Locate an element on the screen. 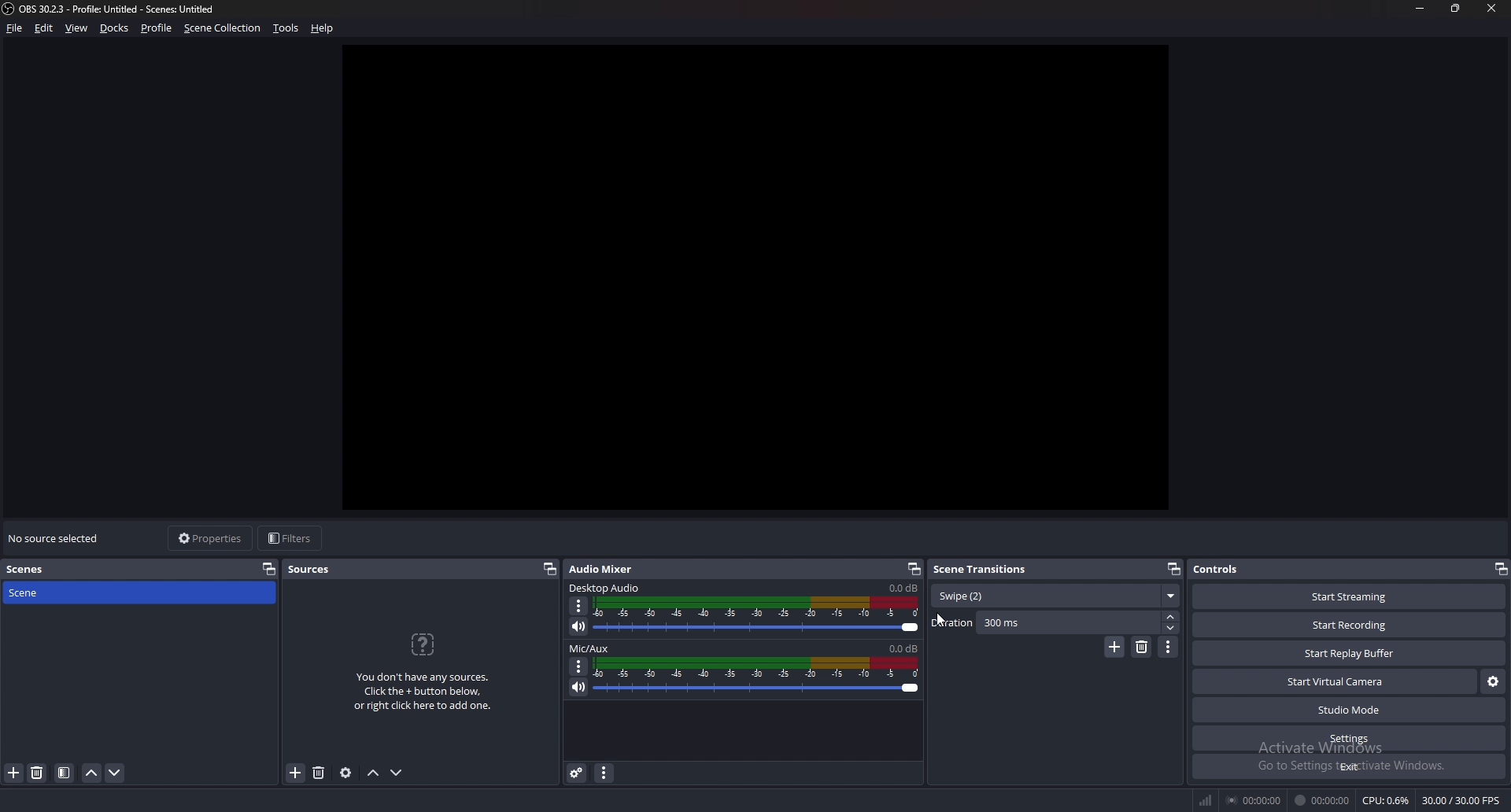 The image size is (1511, 812). pop out is located at coordinates (549, 570).